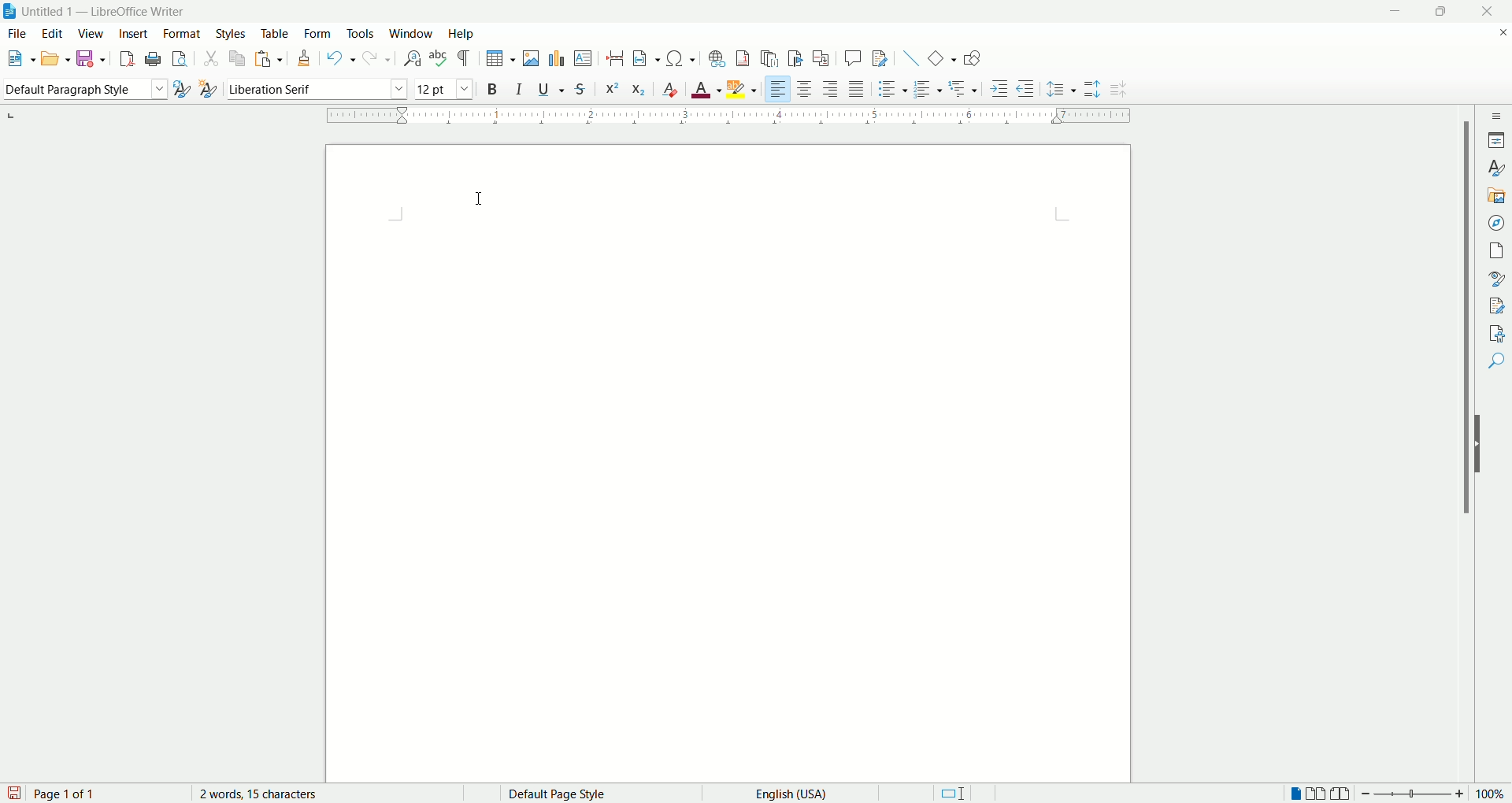 This screenshot has height=803, width=1512. Describe the element at coordinates (857, 90) in the screenshot. I see `justified` at that location.